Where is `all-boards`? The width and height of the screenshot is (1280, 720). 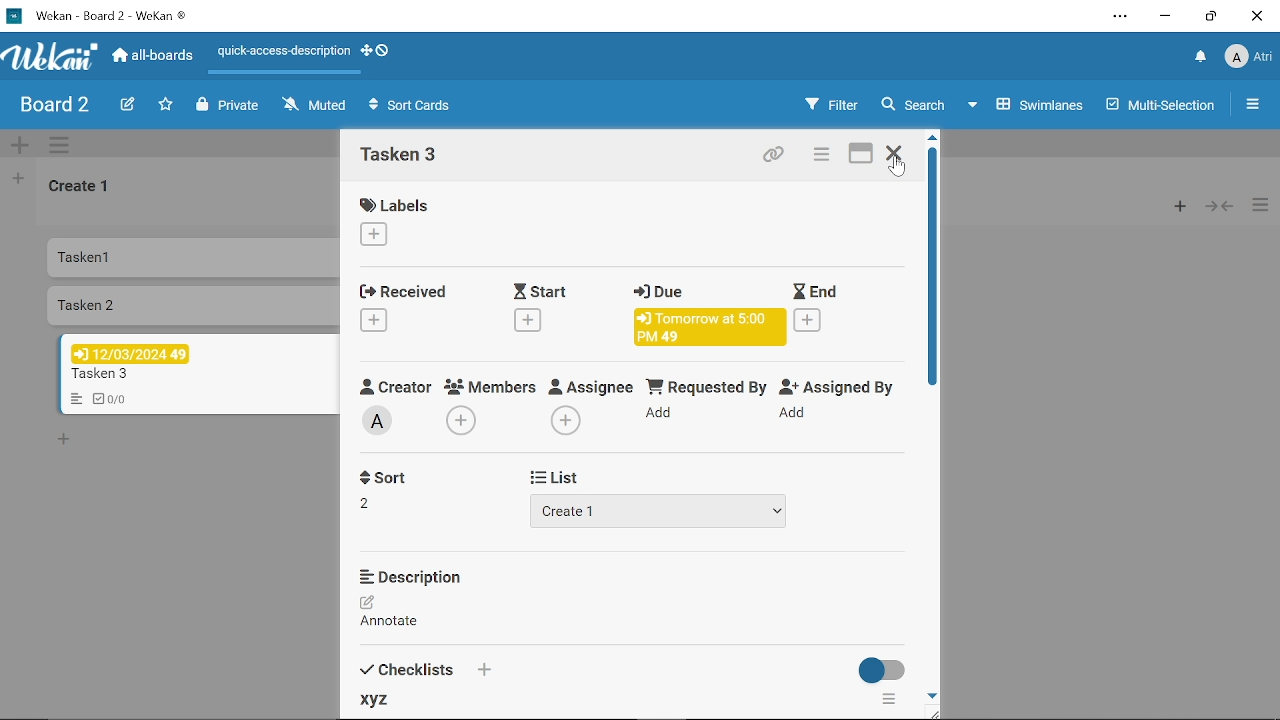
all-boards is located at coordinates (151, 55).